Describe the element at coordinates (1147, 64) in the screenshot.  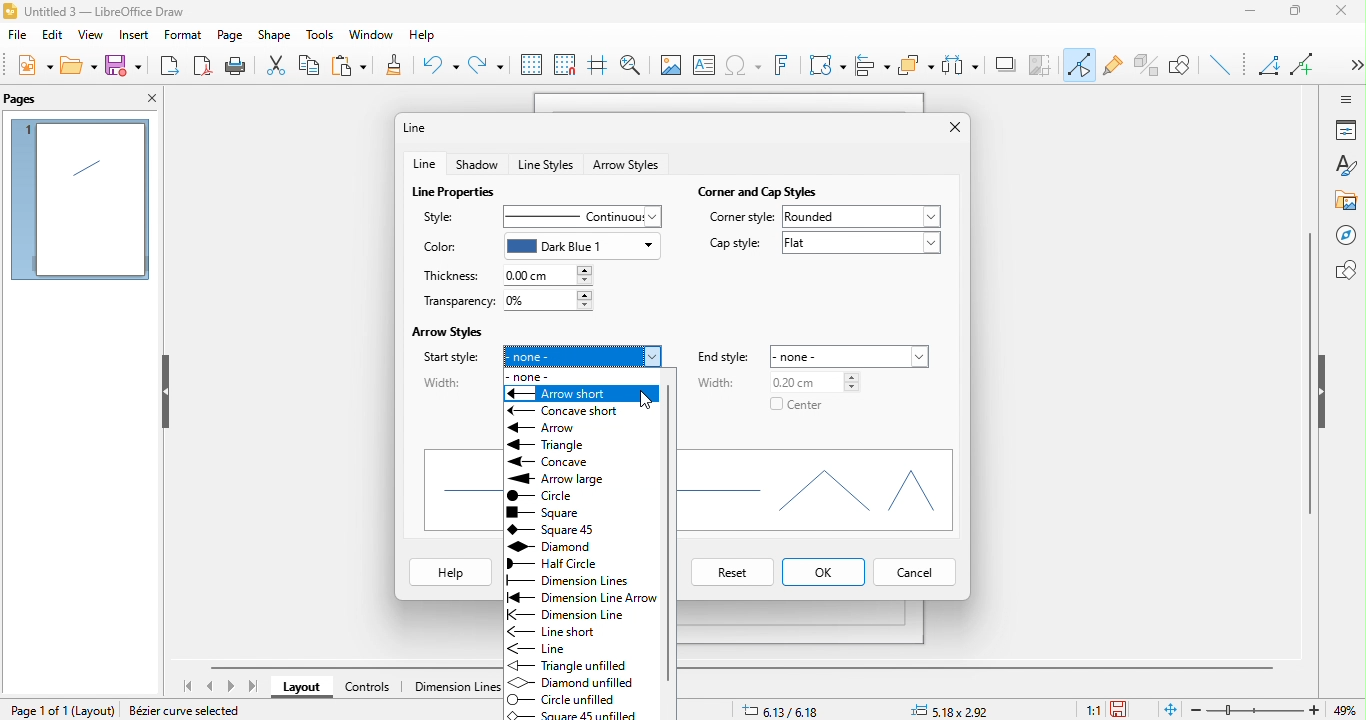
I see `toggle extrusion` at that location.